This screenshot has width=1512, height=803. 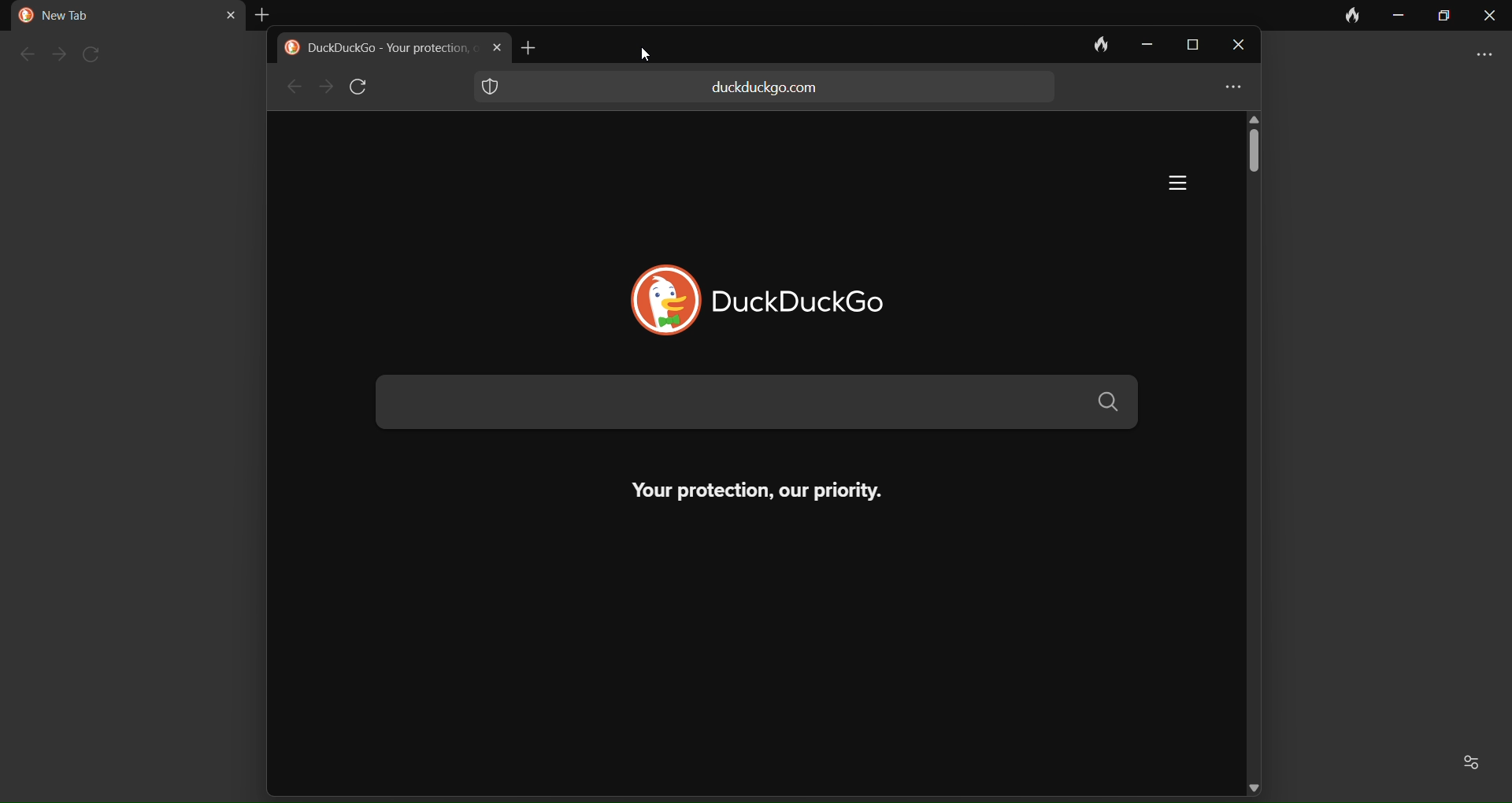 What do you see at coordinates (1489, 17) in the screenshot?
I see `close` at bounding box center [1489, 17].